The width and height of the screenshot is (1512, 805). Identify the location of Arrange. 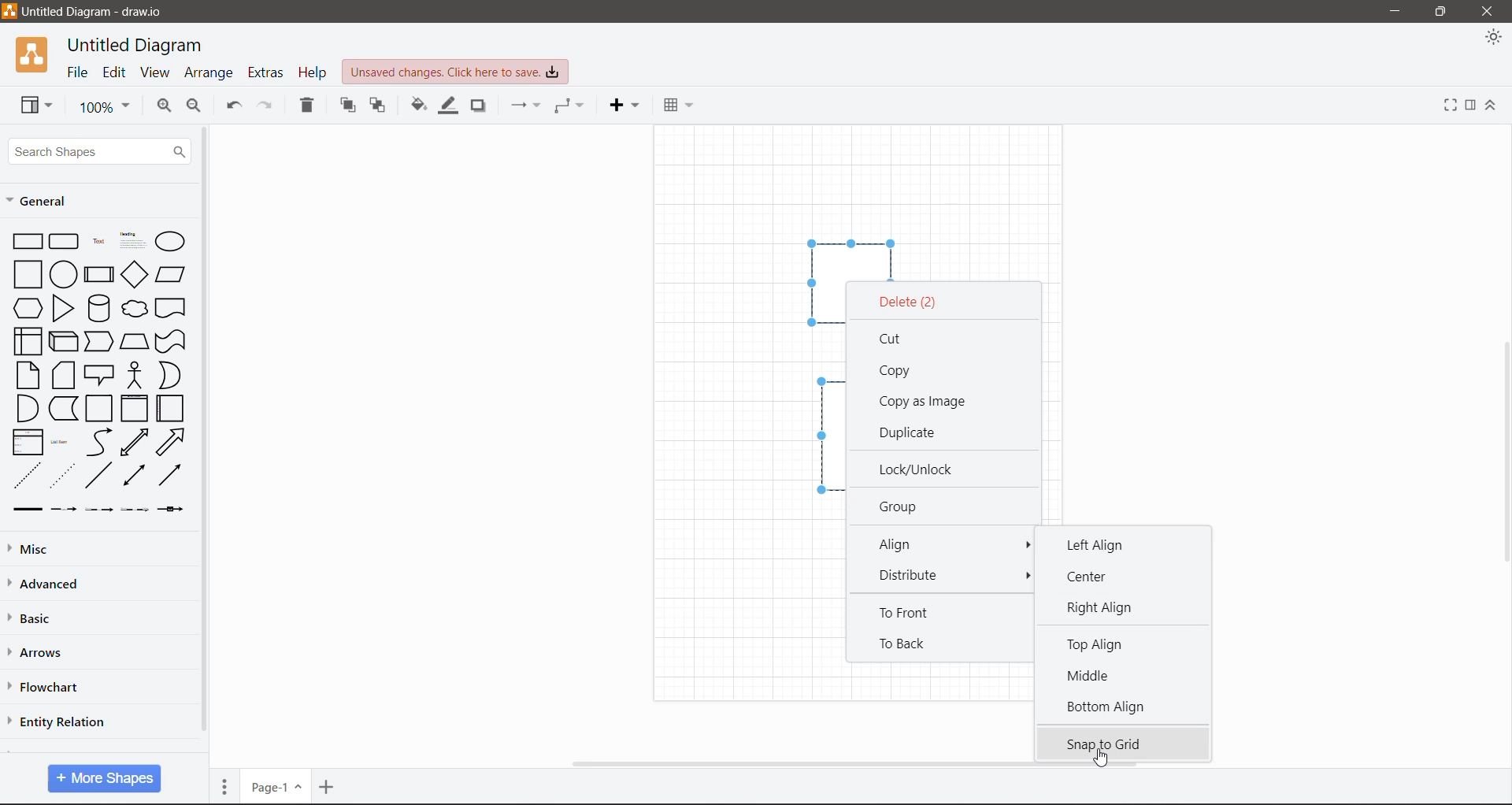
(210, 72).